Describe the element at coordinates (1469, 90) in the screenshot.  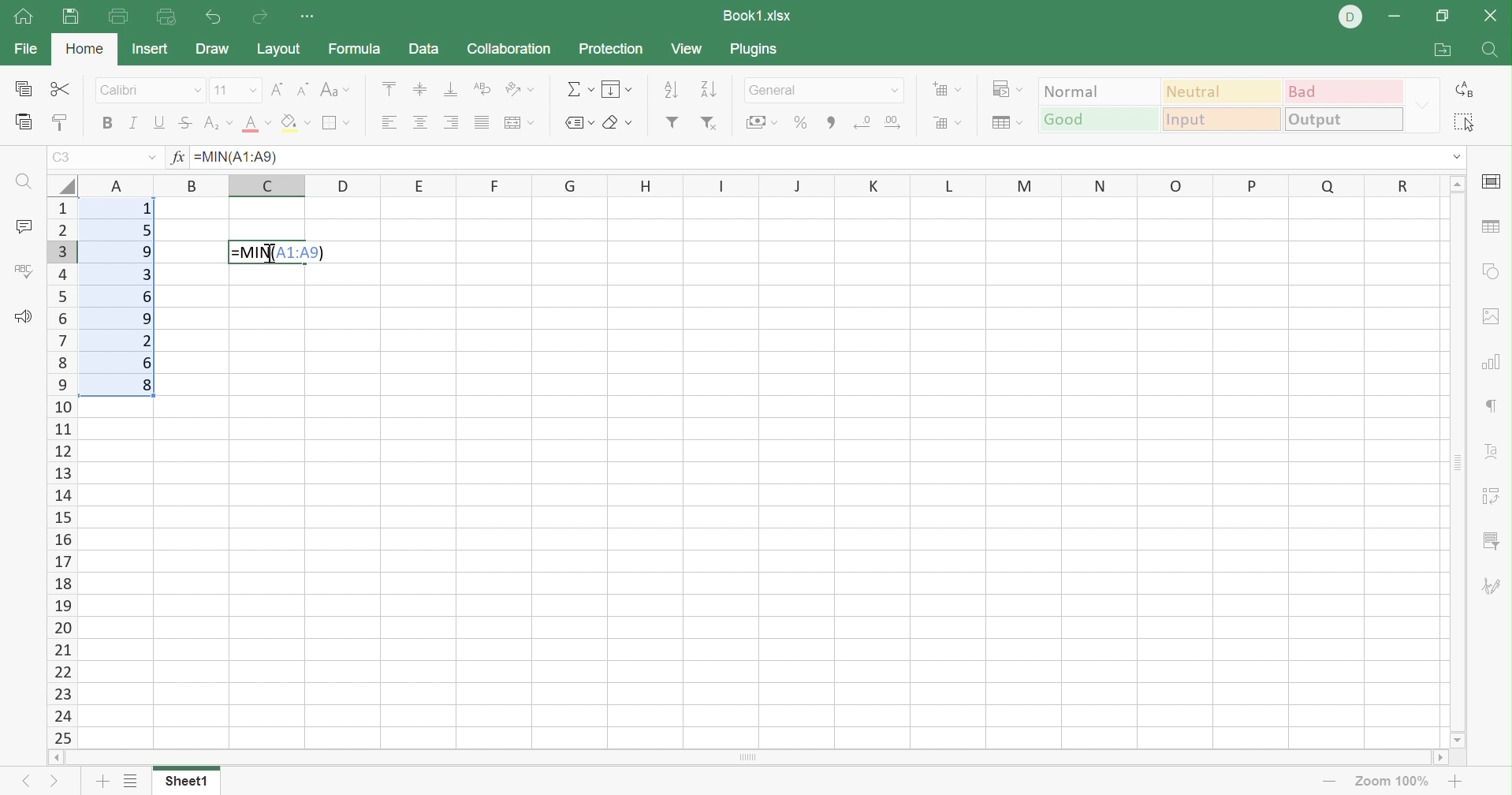
I see `Replace` at that location.